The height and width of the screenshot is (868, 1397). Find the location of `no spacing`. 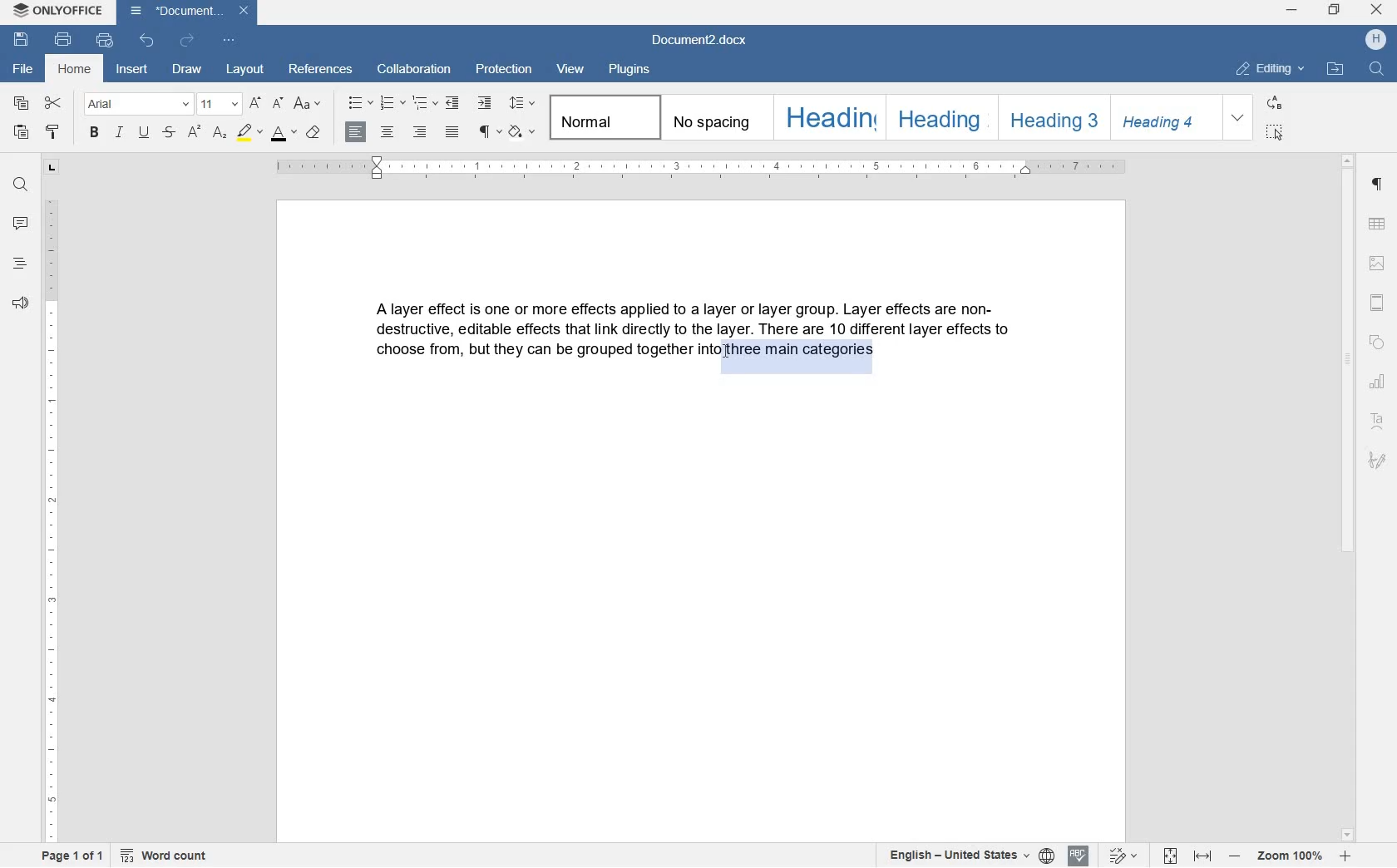

no spacing is located at coordinates (713, 116).